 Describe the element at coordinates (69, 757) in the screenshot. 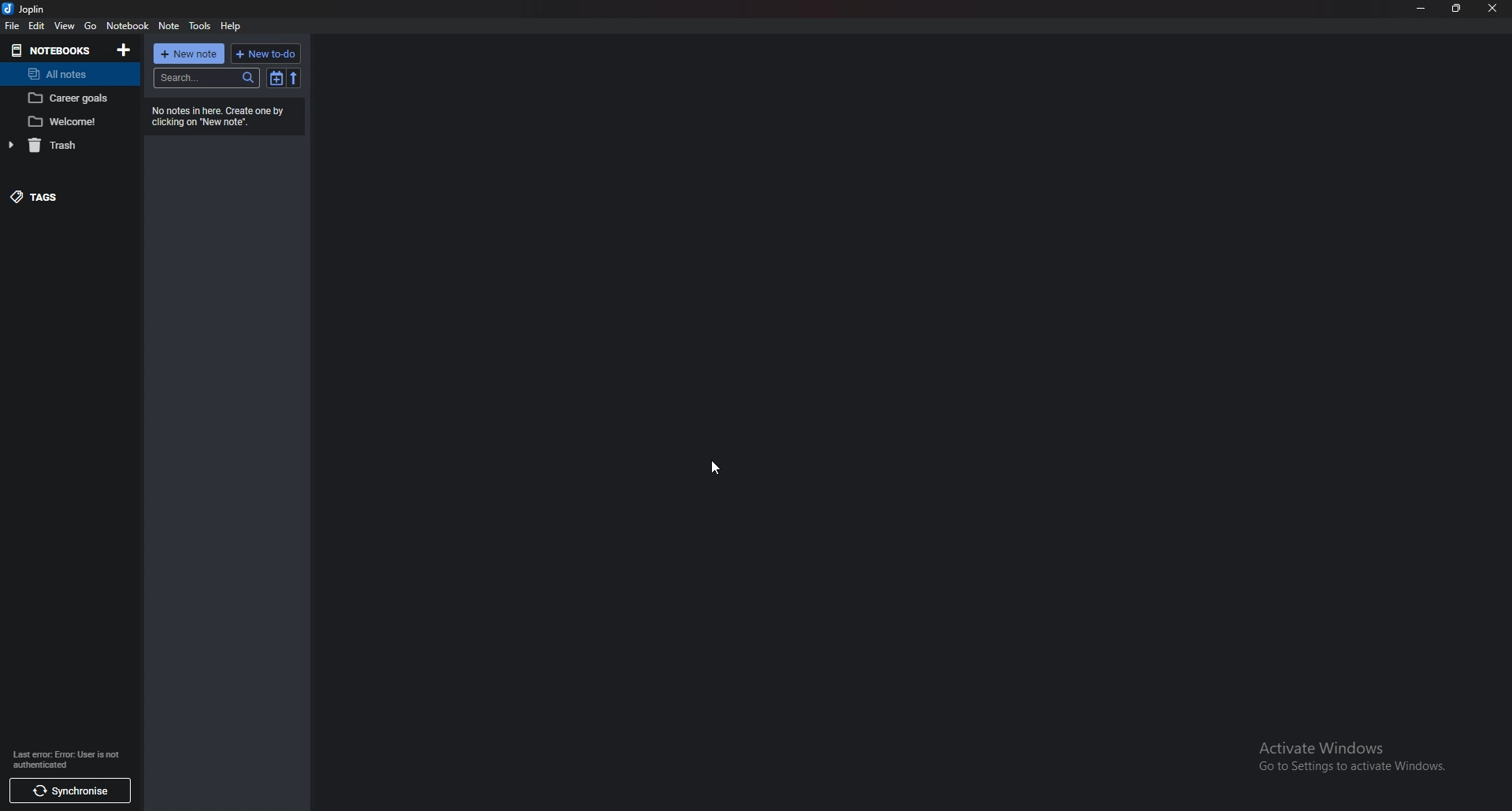

I see `Info` at that location.